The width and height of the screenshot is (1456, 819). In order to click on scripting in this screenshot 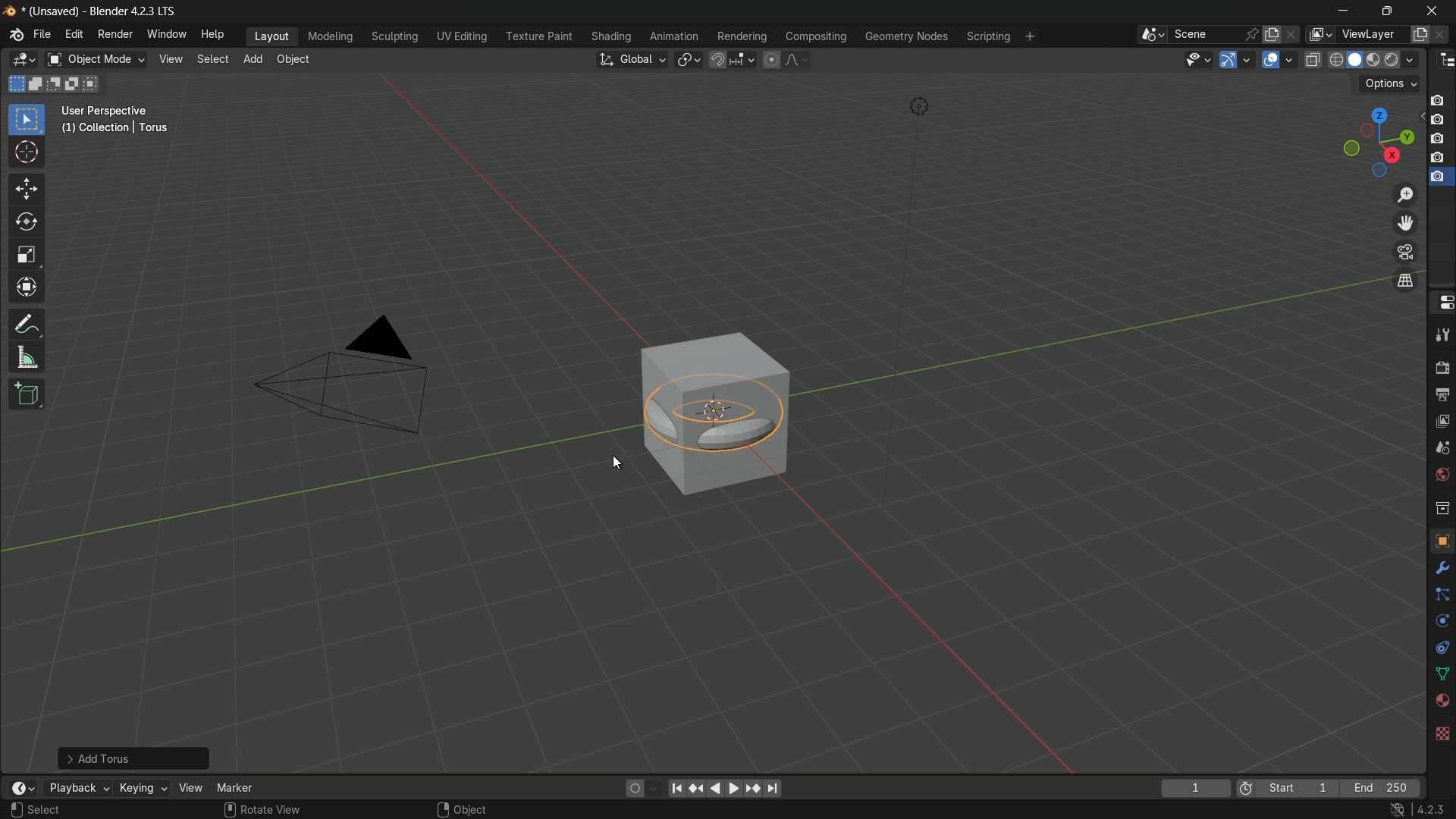, I will do `click(988, 37)`.